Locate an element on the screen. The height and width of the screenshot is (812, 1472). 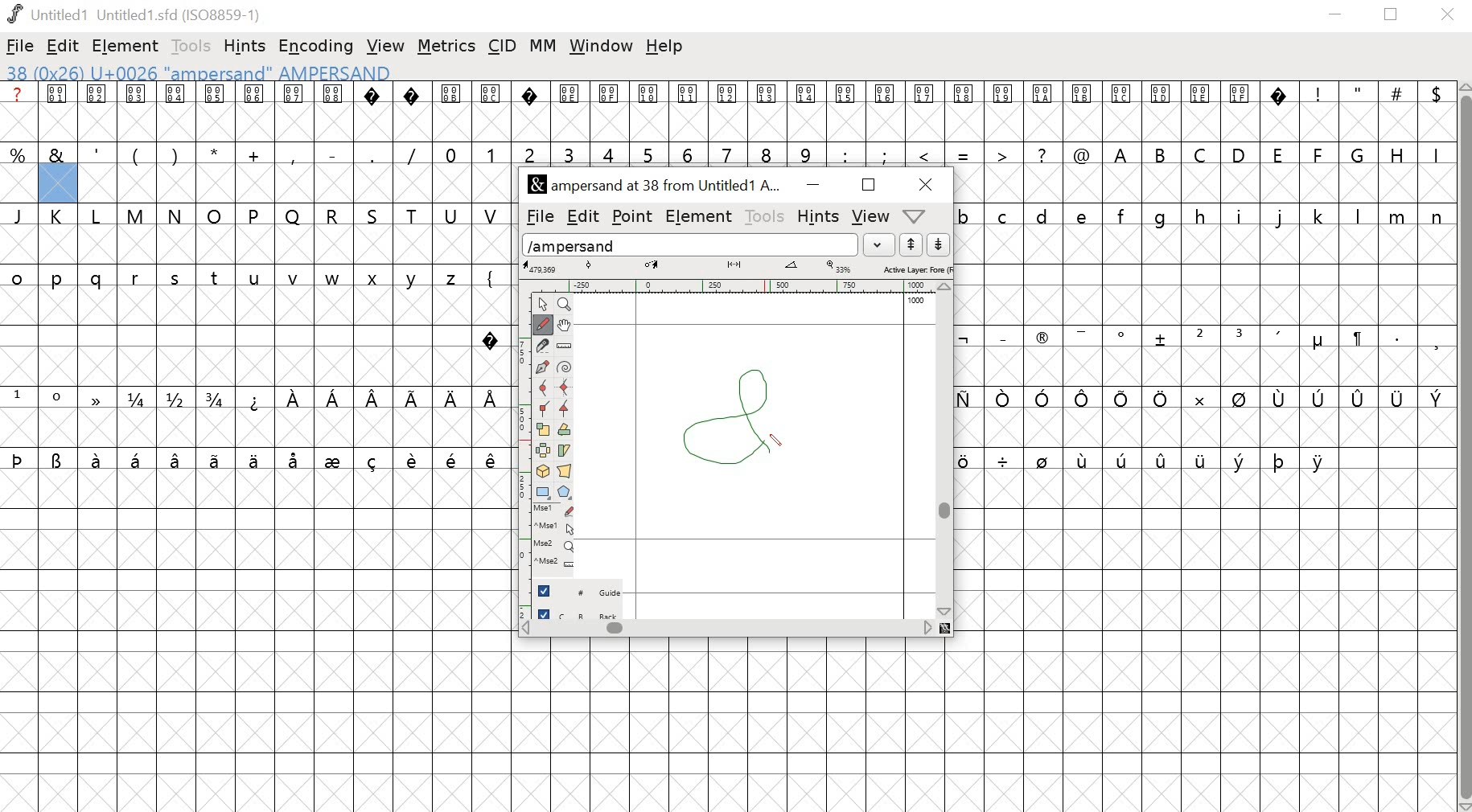
s is located at coordinates (175, 278).